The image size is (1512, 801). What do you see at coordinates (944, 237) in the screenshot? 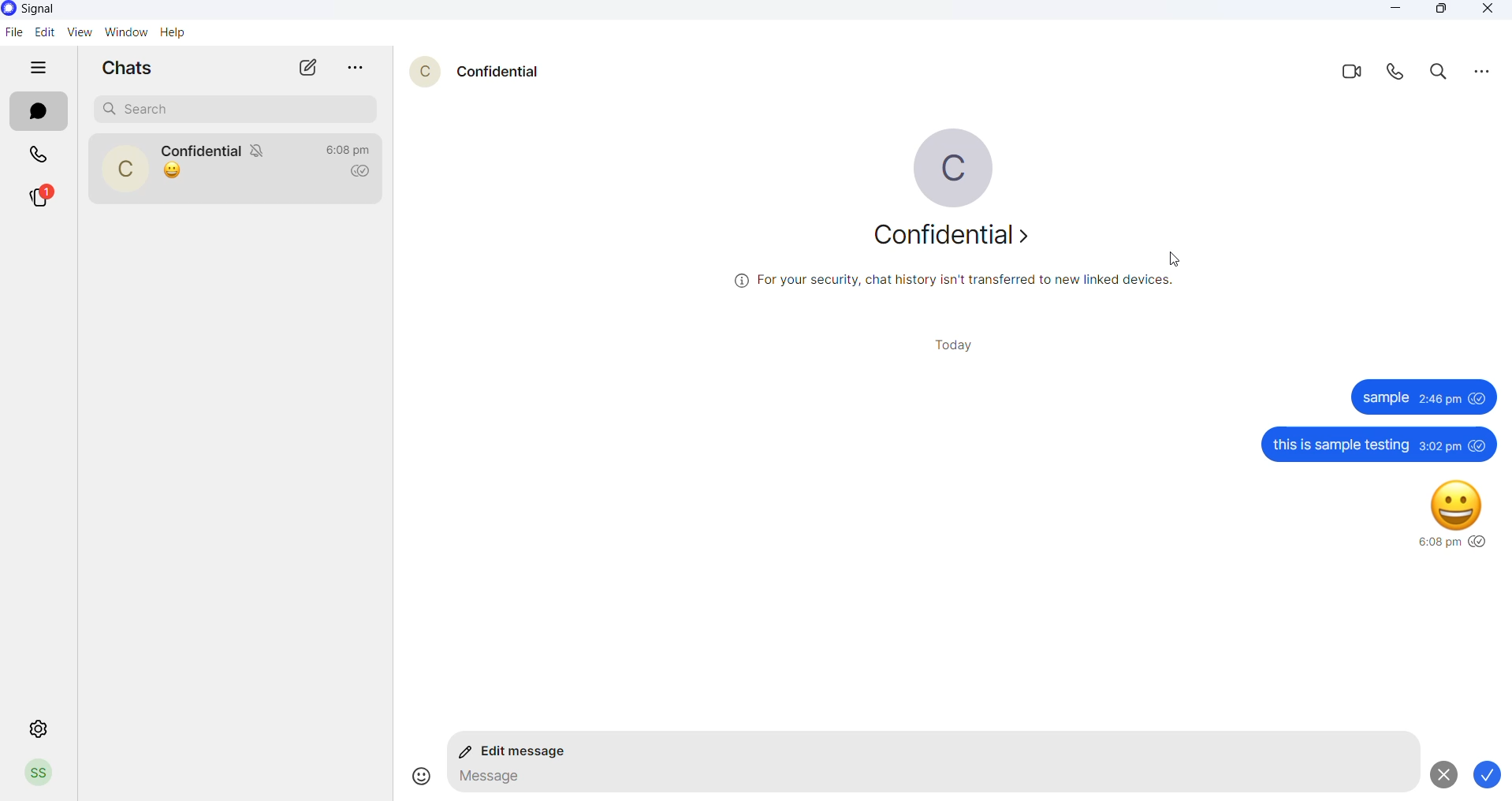
I see `about contact` at bounding box center [944, 237].